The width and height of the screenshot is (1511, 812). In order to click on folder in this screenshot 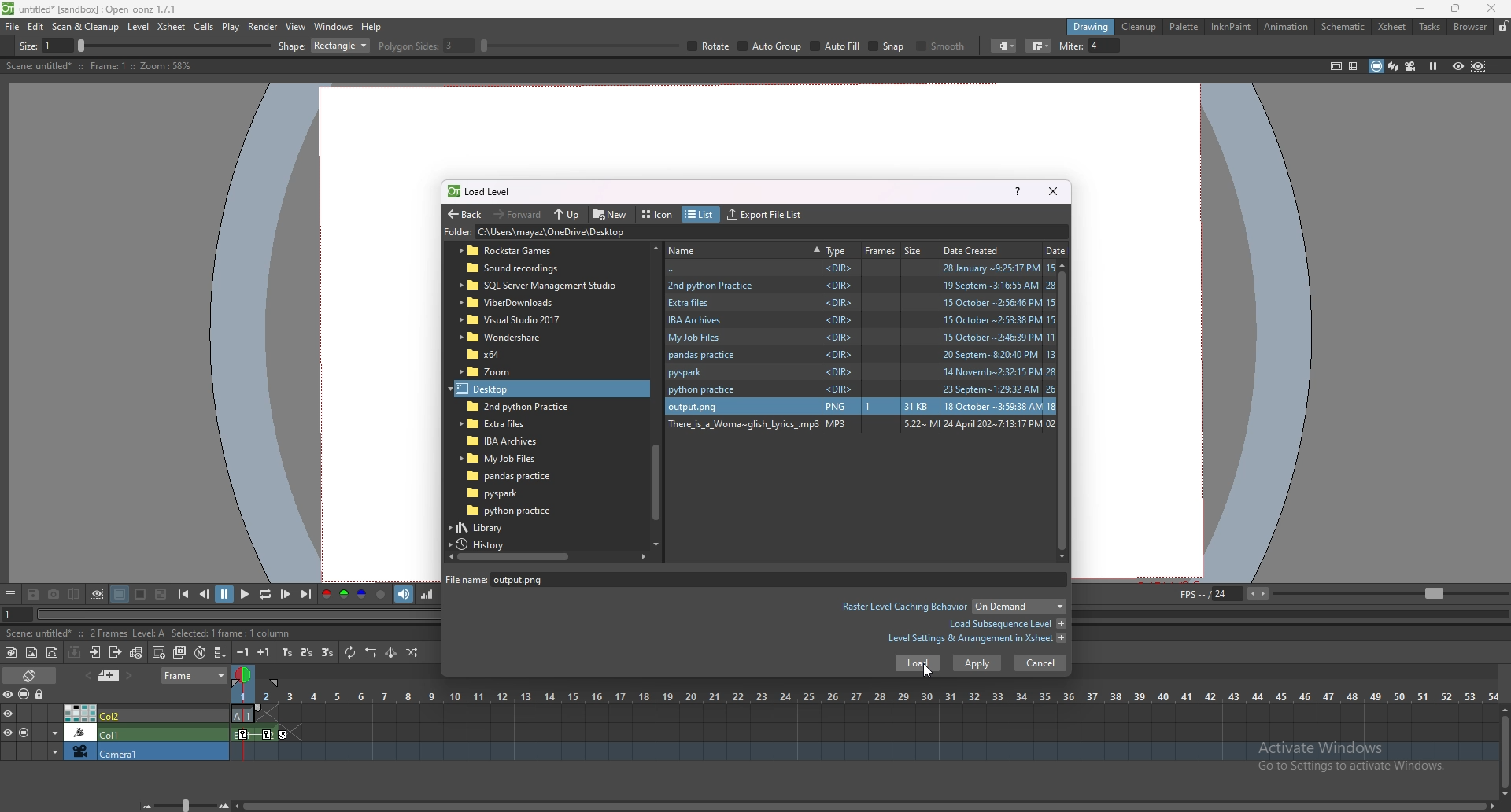, I will do `click(526, 269)`.